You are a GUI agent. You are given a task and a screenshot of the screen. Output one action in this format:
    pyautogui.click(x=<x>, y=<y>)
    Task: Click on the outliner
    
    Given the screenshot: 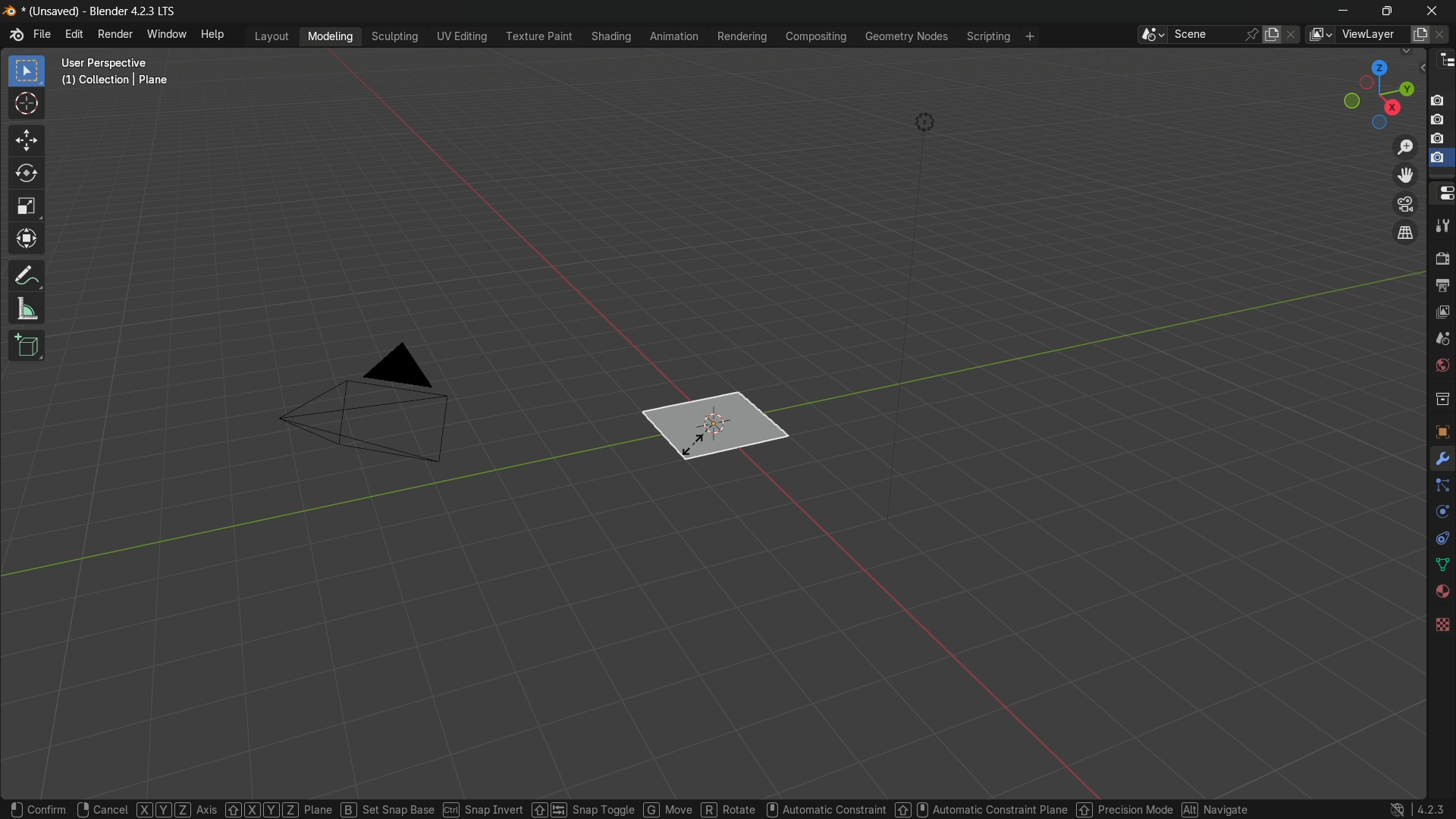 What is the action you would take?
    pyautogui.click(x=1444, y=61)
    